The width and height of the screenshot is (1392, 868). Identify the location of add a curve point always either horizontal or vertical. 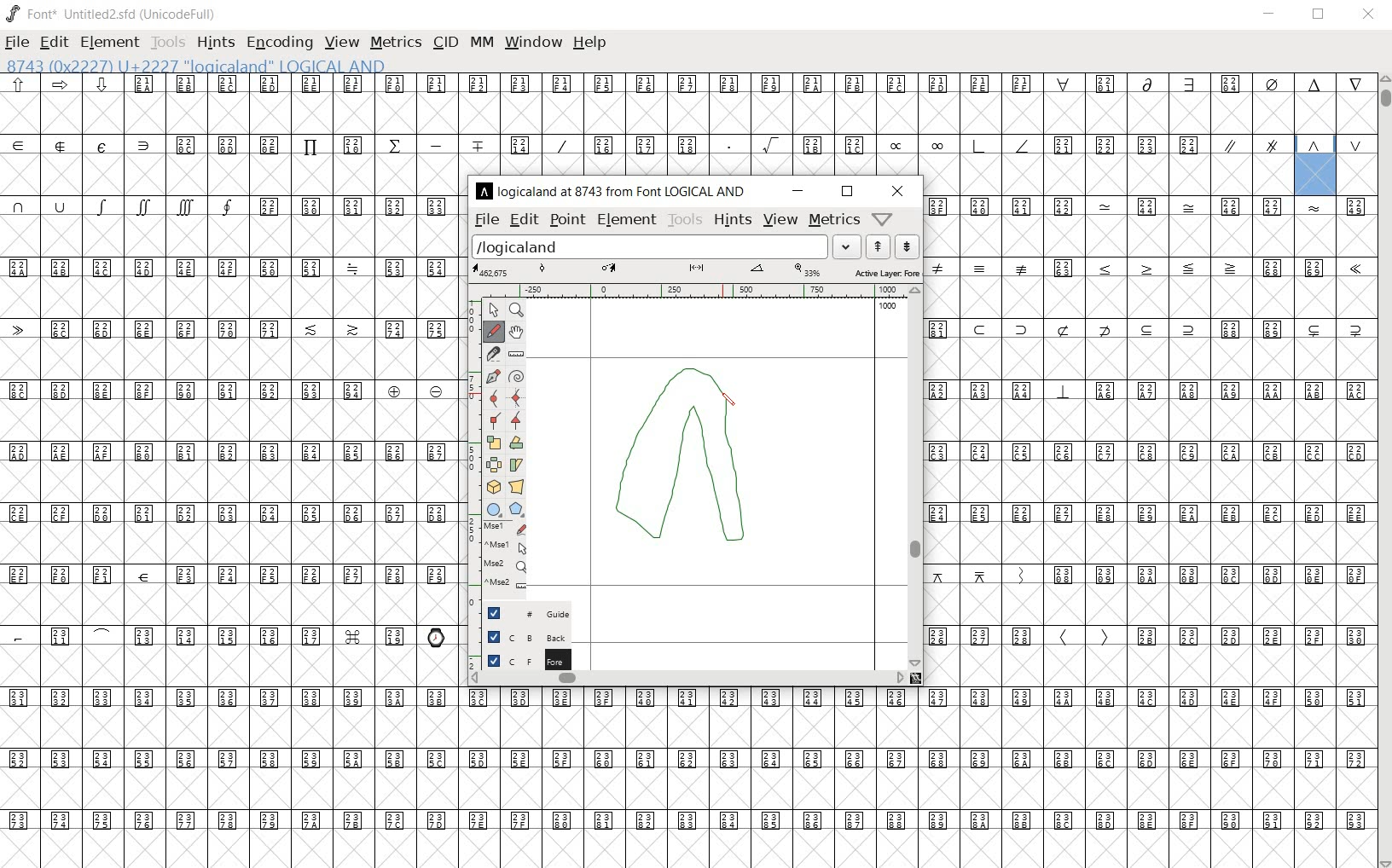
(496, 396).